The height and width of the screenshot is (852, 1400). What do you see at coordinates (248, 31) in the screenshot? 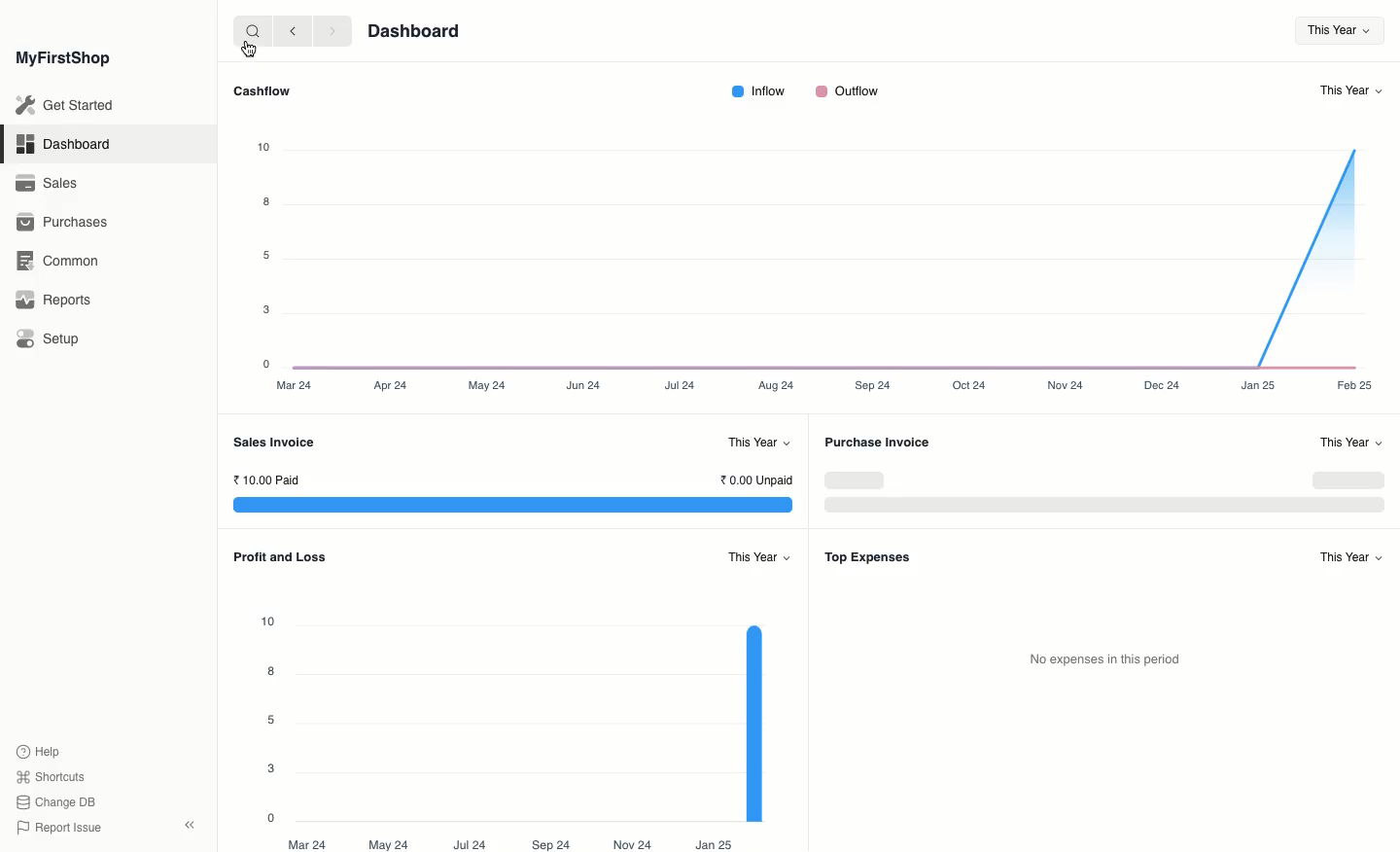
I see `search` at bounding box center [248, 31].